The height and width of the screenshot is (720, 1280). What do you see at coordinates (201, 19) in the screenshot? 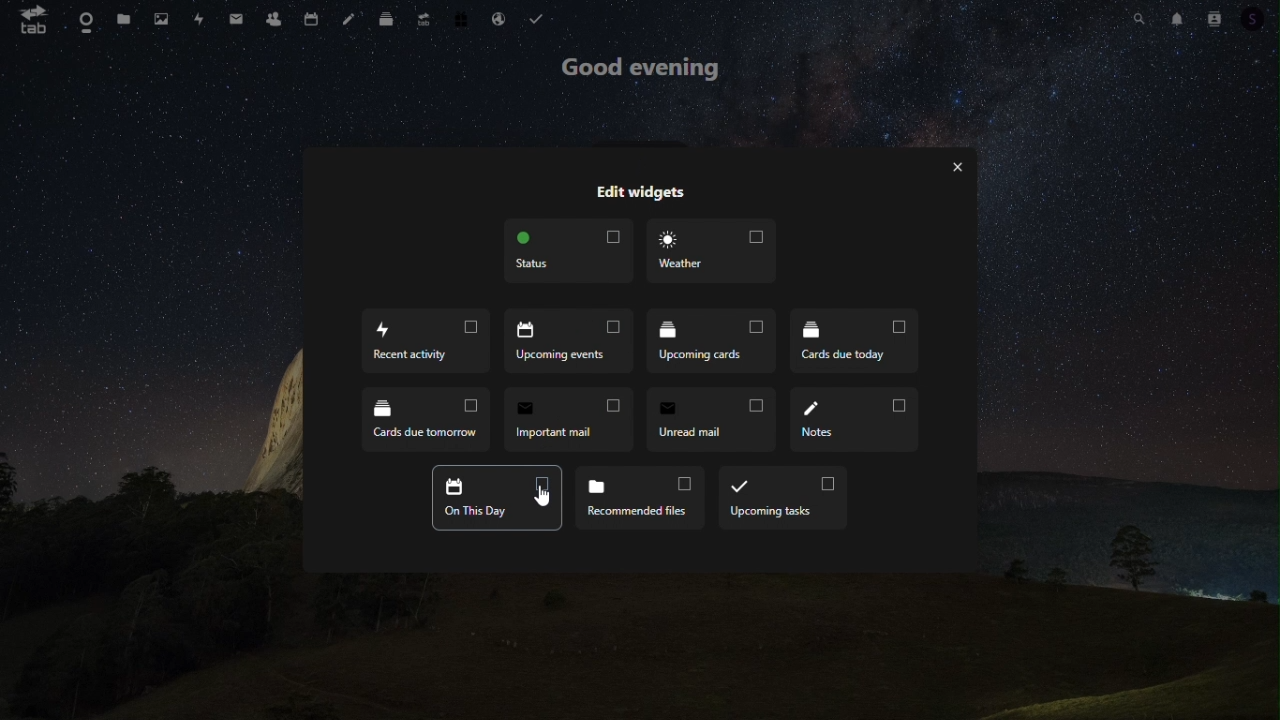
I see `Activity` at bounding box center [201, 19].